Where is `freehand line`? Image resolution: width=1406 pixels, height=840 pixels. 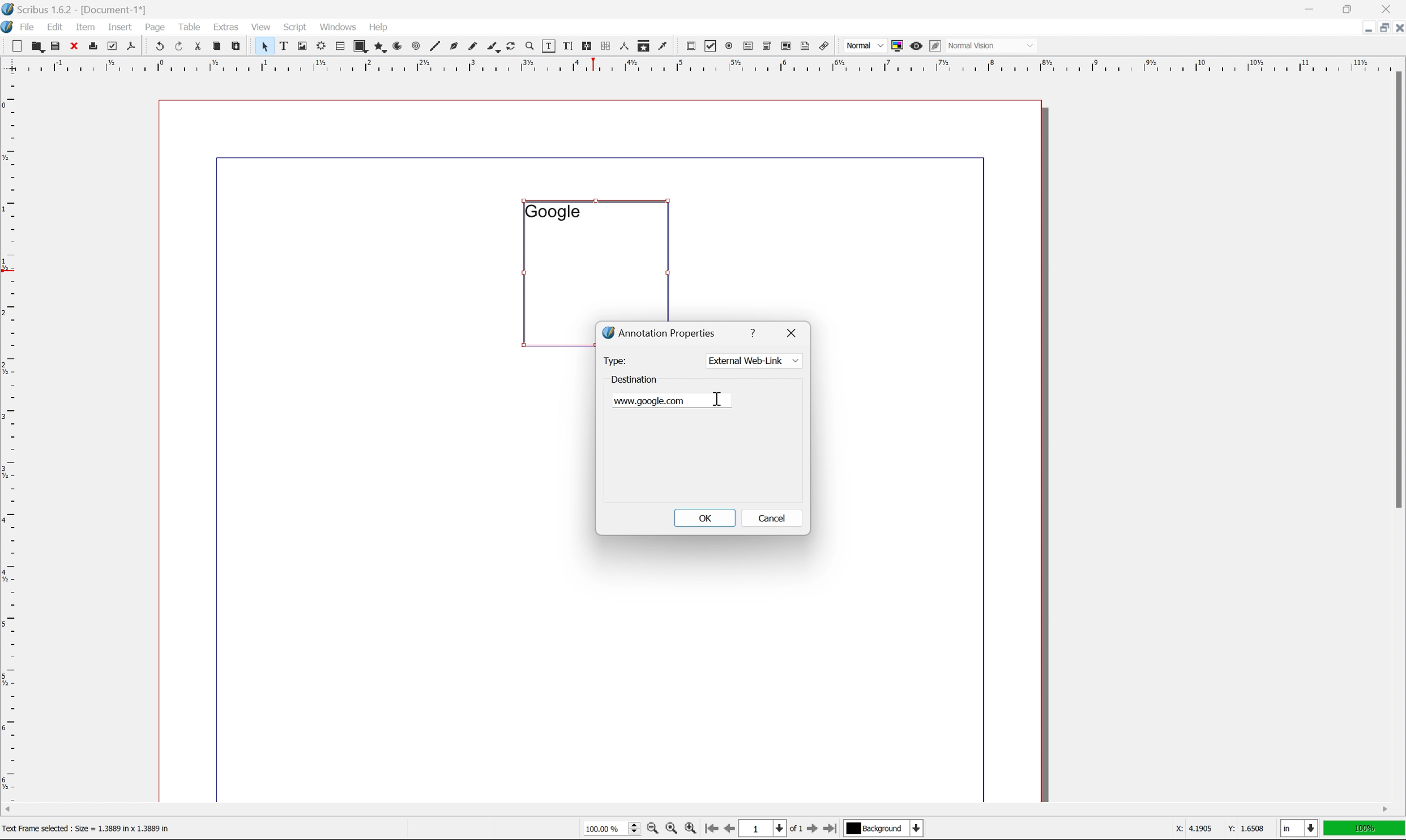
freehand line is located at coordinates (474, 47).